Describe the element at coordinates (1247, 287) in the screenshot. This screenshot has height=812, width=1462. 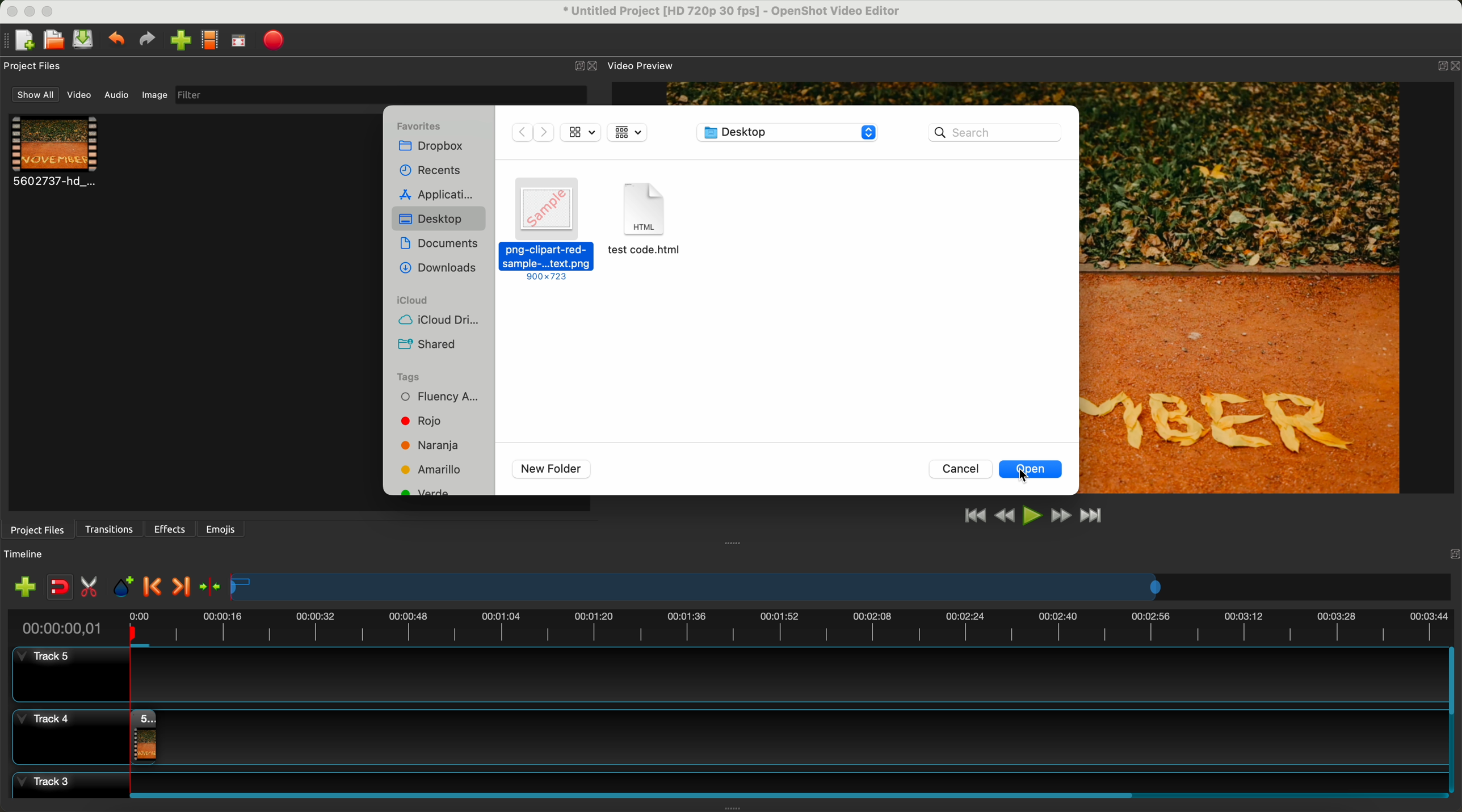
I see `pREVIEW` at that location.